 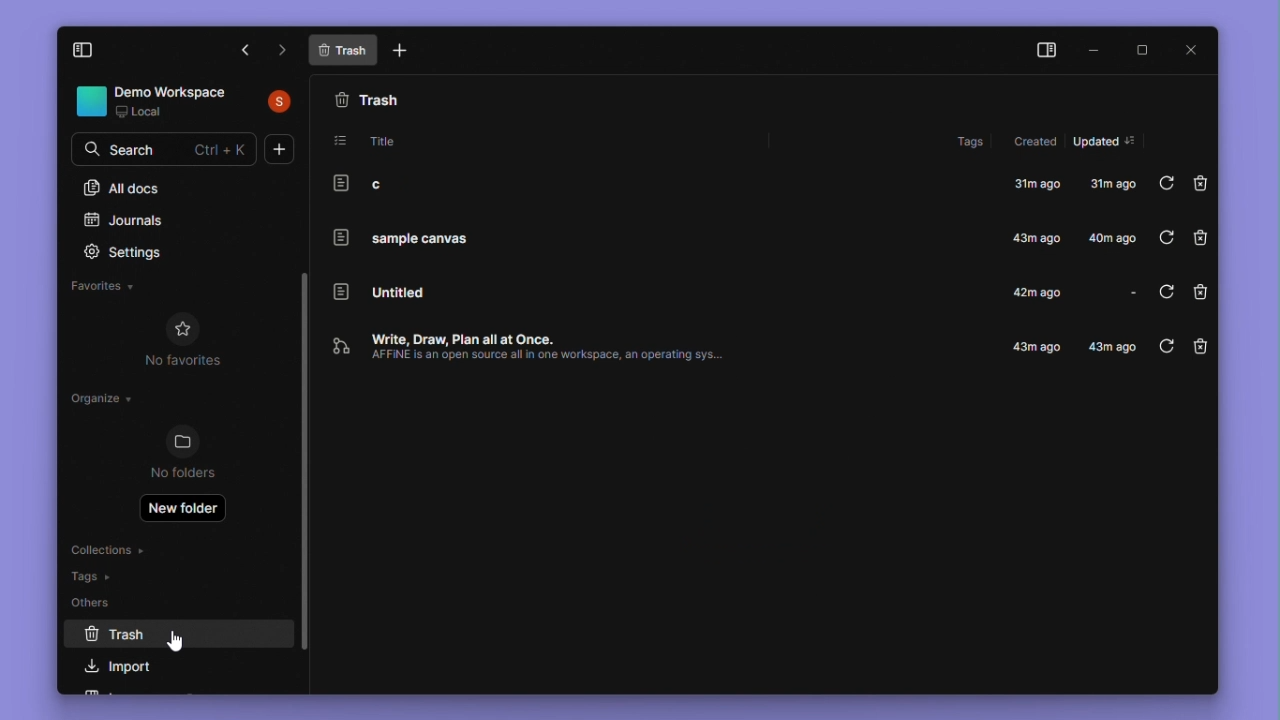 I want to click on Collections, so click(x=112, y=548).